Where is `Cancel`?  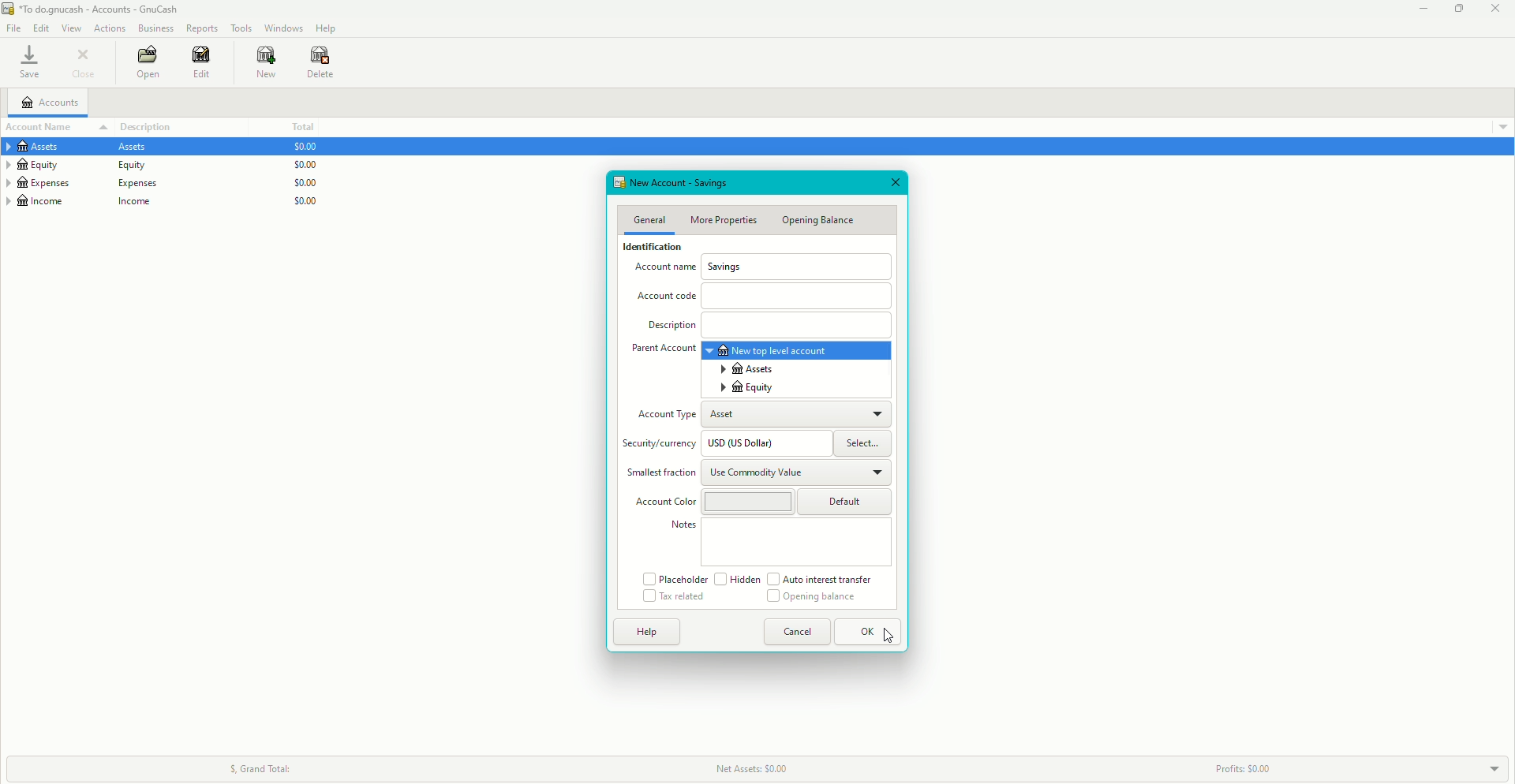 Cancel is located at coordinates (798, 632).